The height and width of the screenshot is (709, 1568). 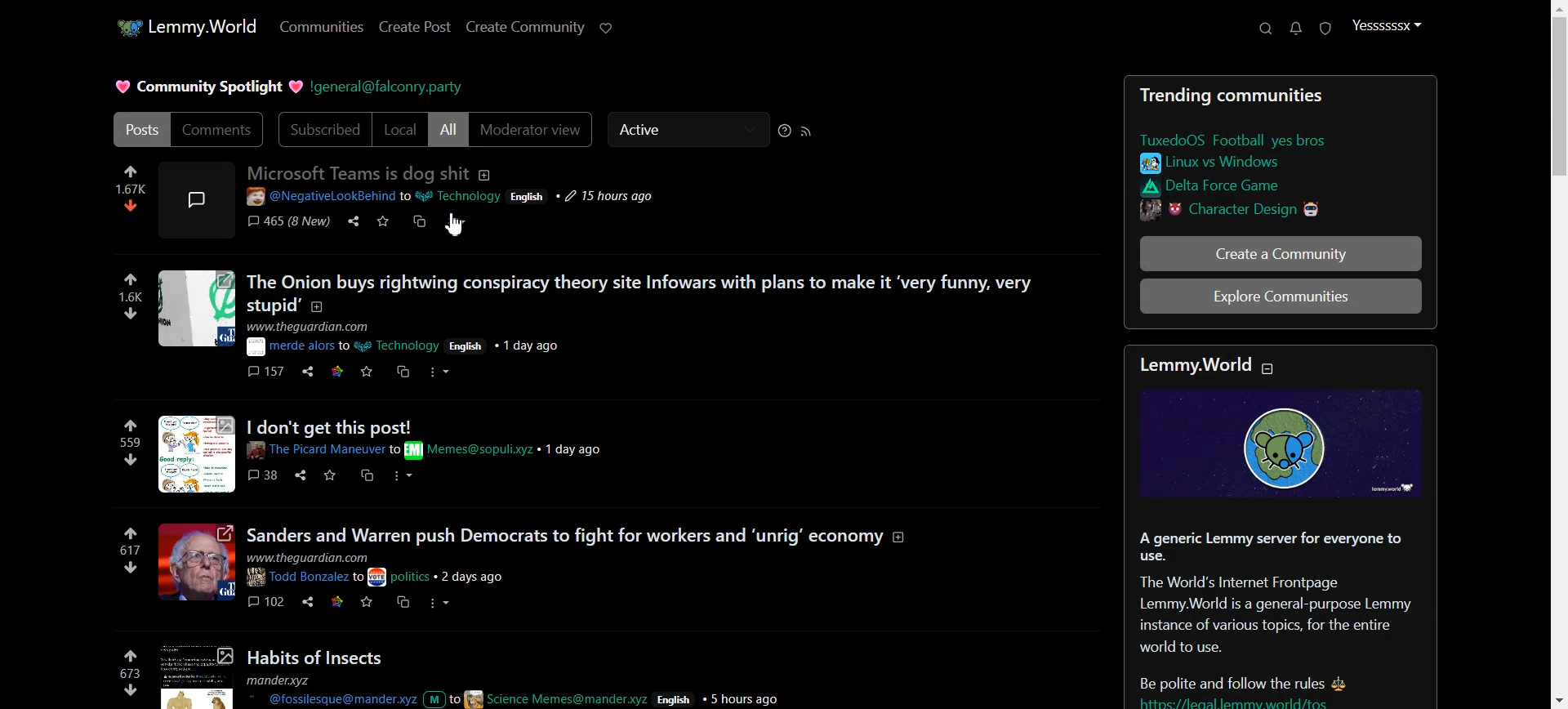 What do you see at coordinates (132, 690) in the screenshot?
I see `dislike` at bounding box center [132, 690].